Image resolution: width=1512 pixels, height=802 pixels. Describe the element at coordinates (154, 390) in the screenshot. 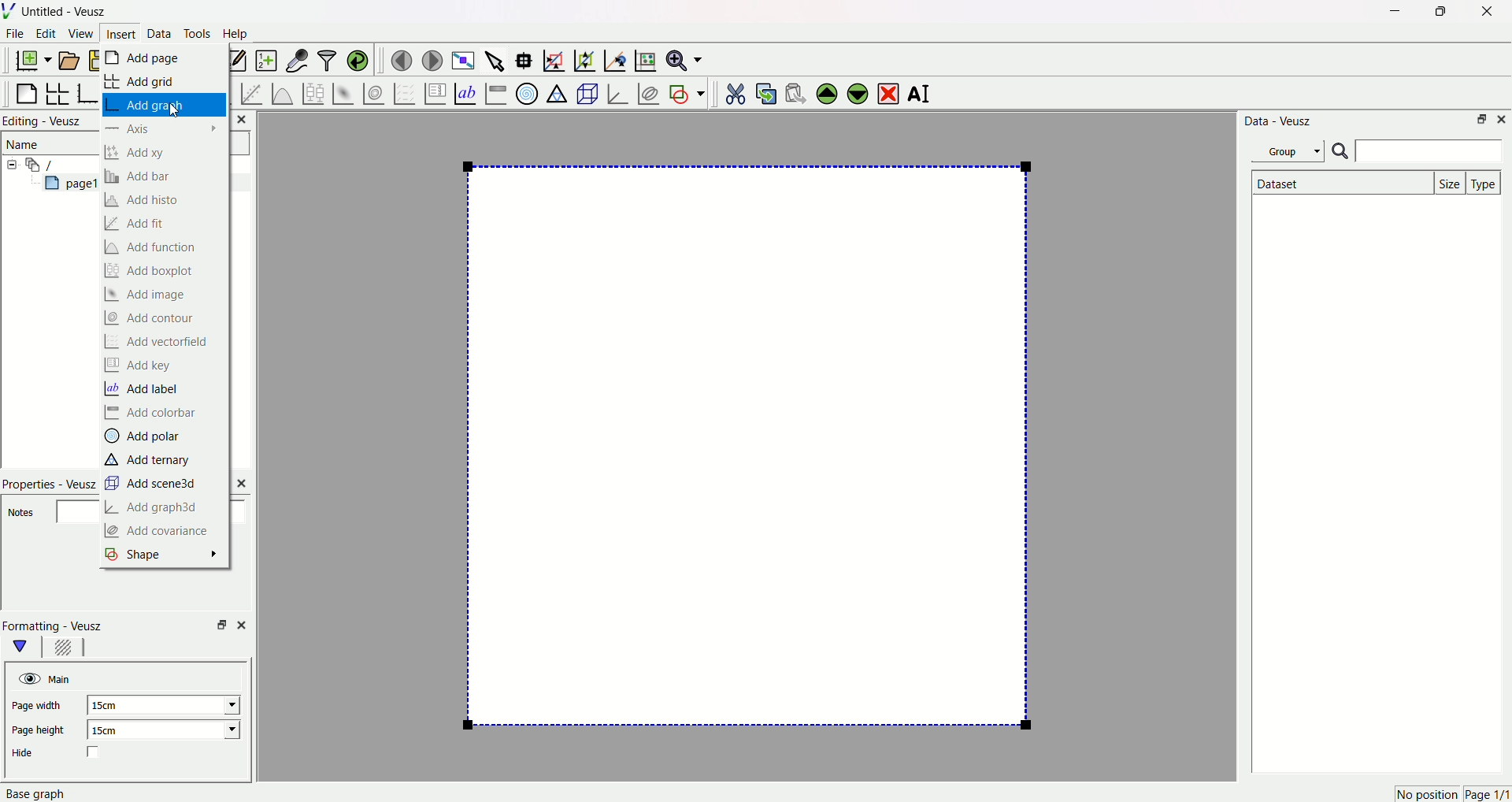

I see `Add label` at that location.